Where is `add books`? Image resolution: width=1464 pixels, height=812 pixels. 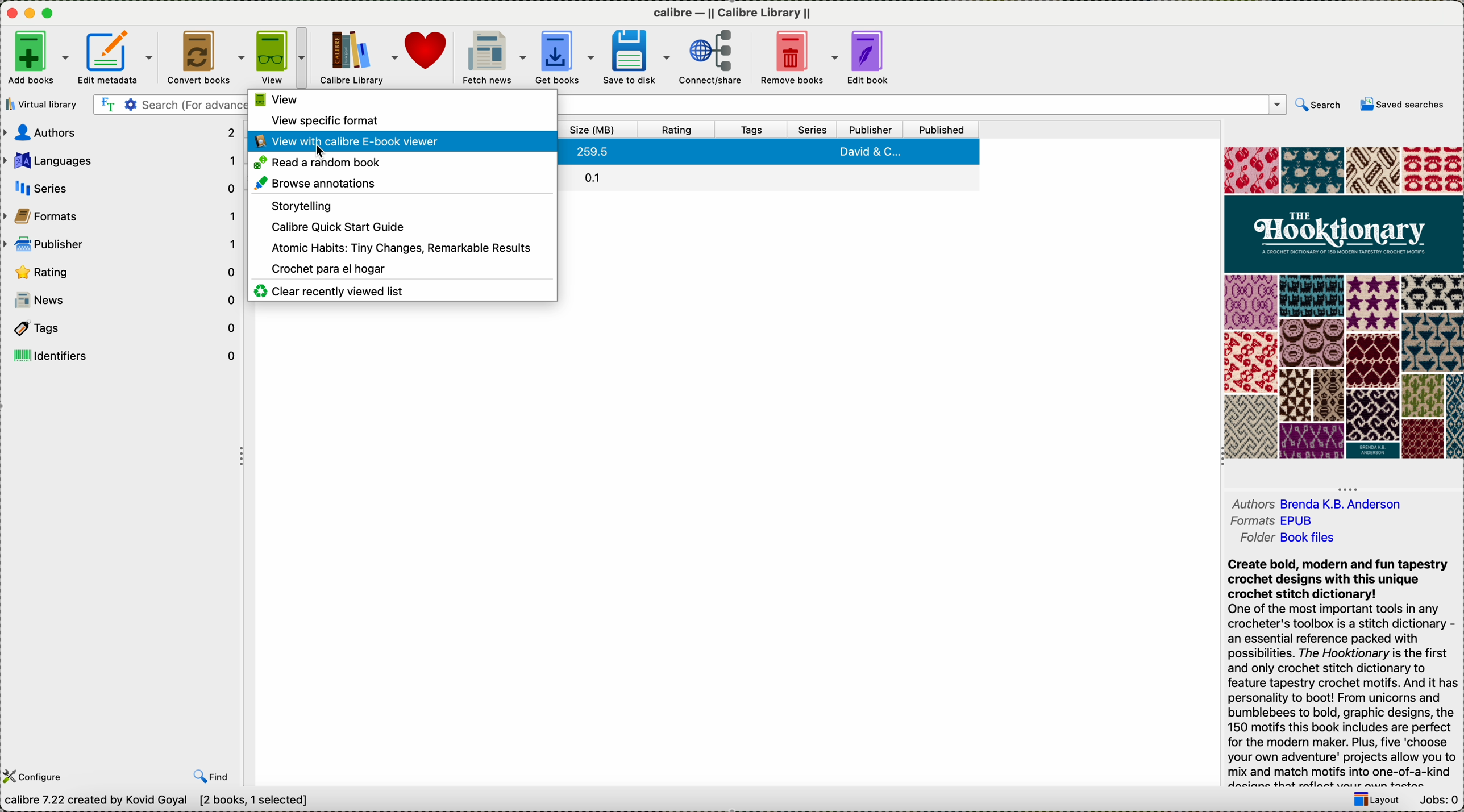
add books is located at coordinates (38, 57).